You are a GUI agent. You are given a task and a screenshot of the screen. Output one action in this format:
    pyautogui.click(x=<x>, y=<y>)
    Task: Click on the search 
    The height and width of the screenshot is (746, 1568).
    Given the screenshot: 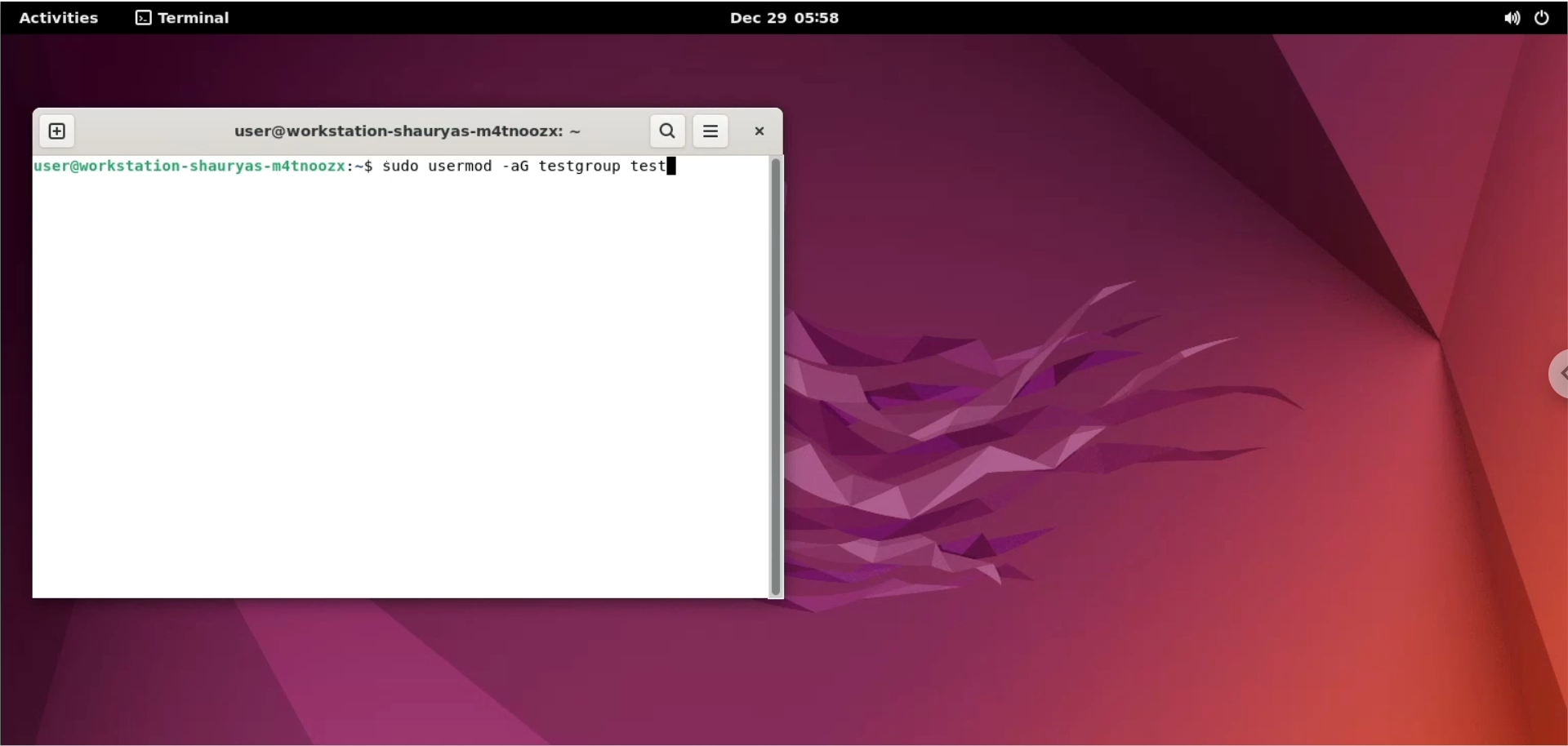 What is the action you would take?
    pyautogui.click(x=668, y=131)
    